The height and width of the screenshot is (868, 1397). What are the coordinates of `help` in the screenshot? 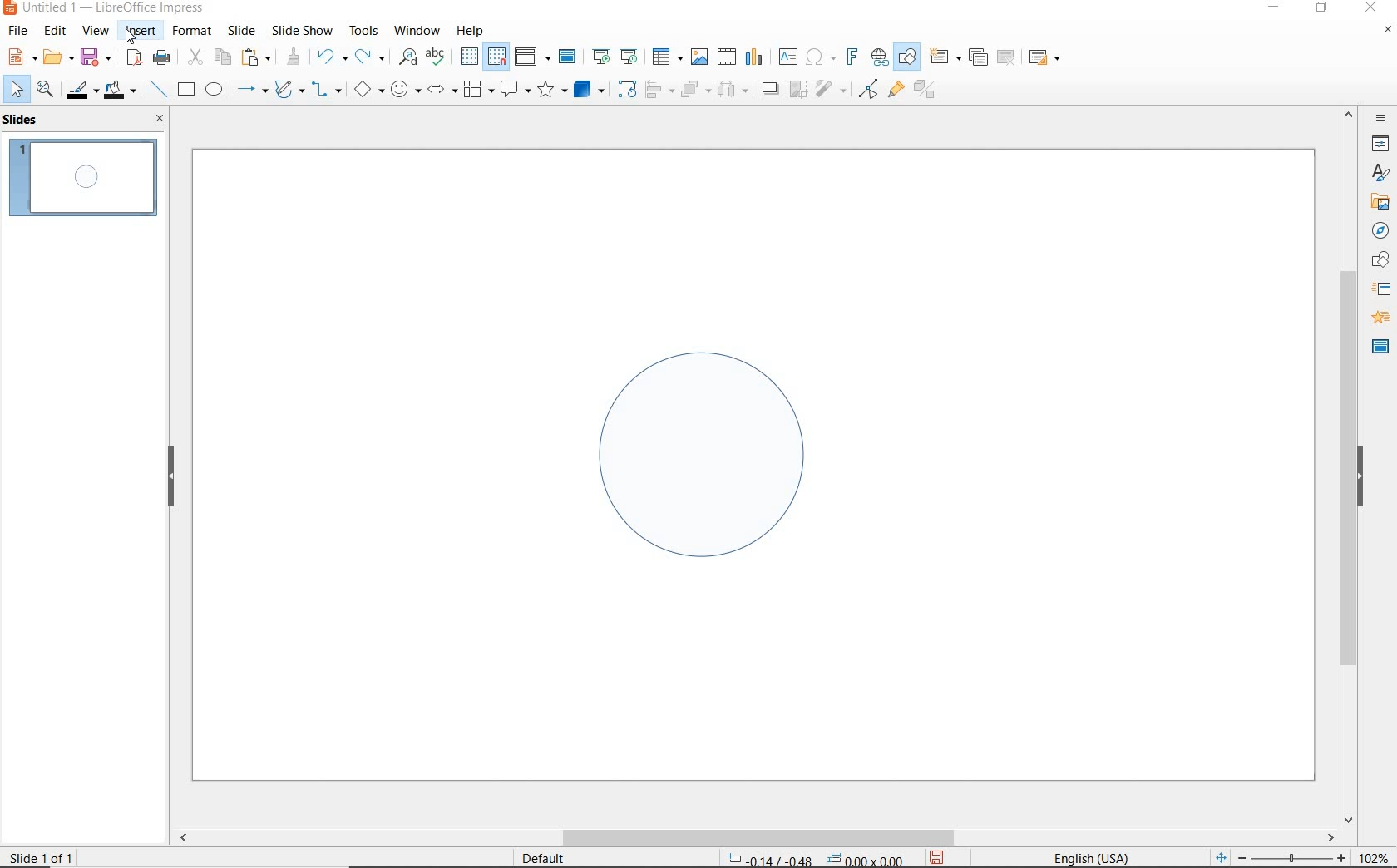 It's located at (472, 28).